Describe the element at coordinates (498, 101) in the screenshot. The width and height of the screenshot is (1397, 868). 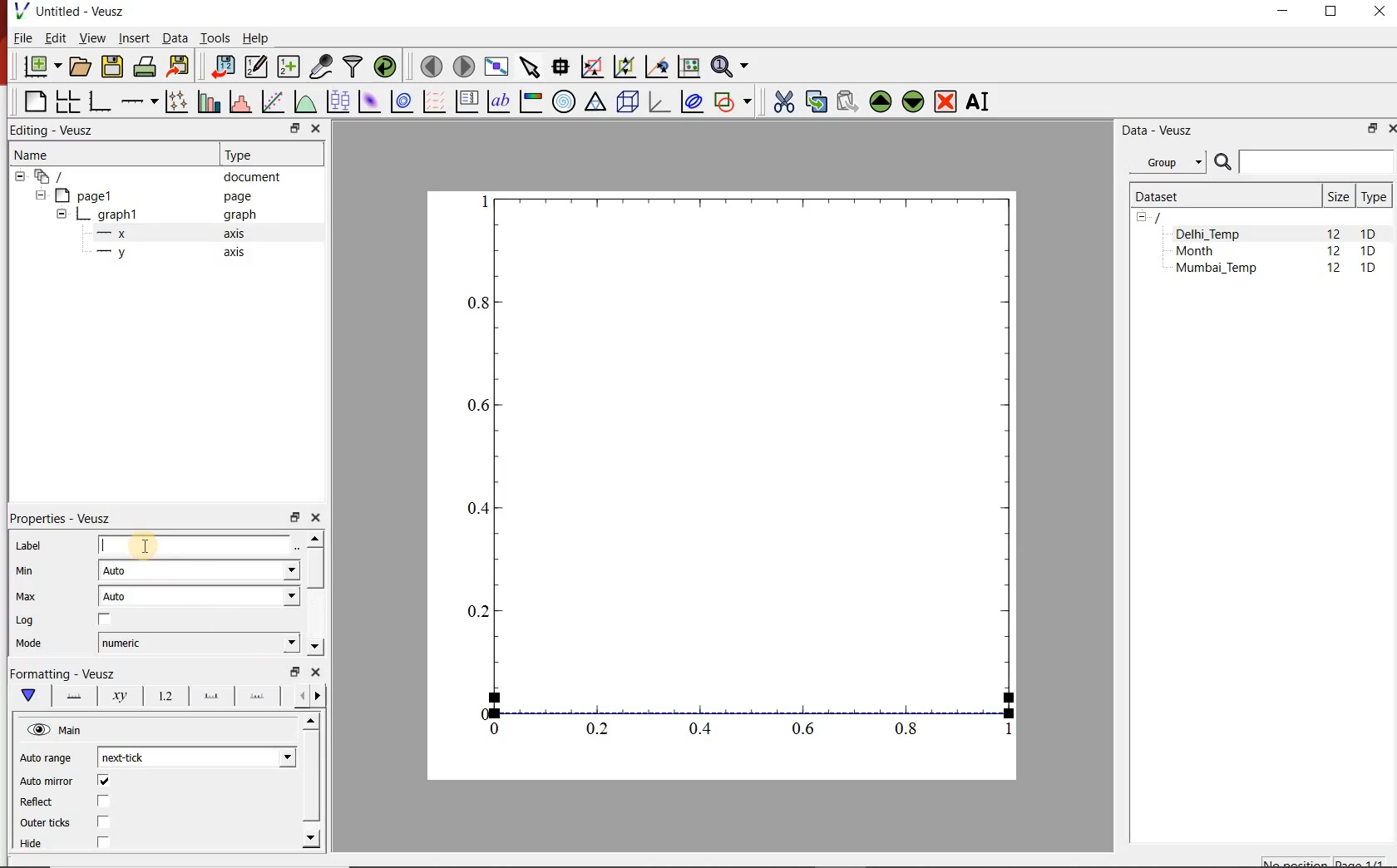
I see `text label` at that location.